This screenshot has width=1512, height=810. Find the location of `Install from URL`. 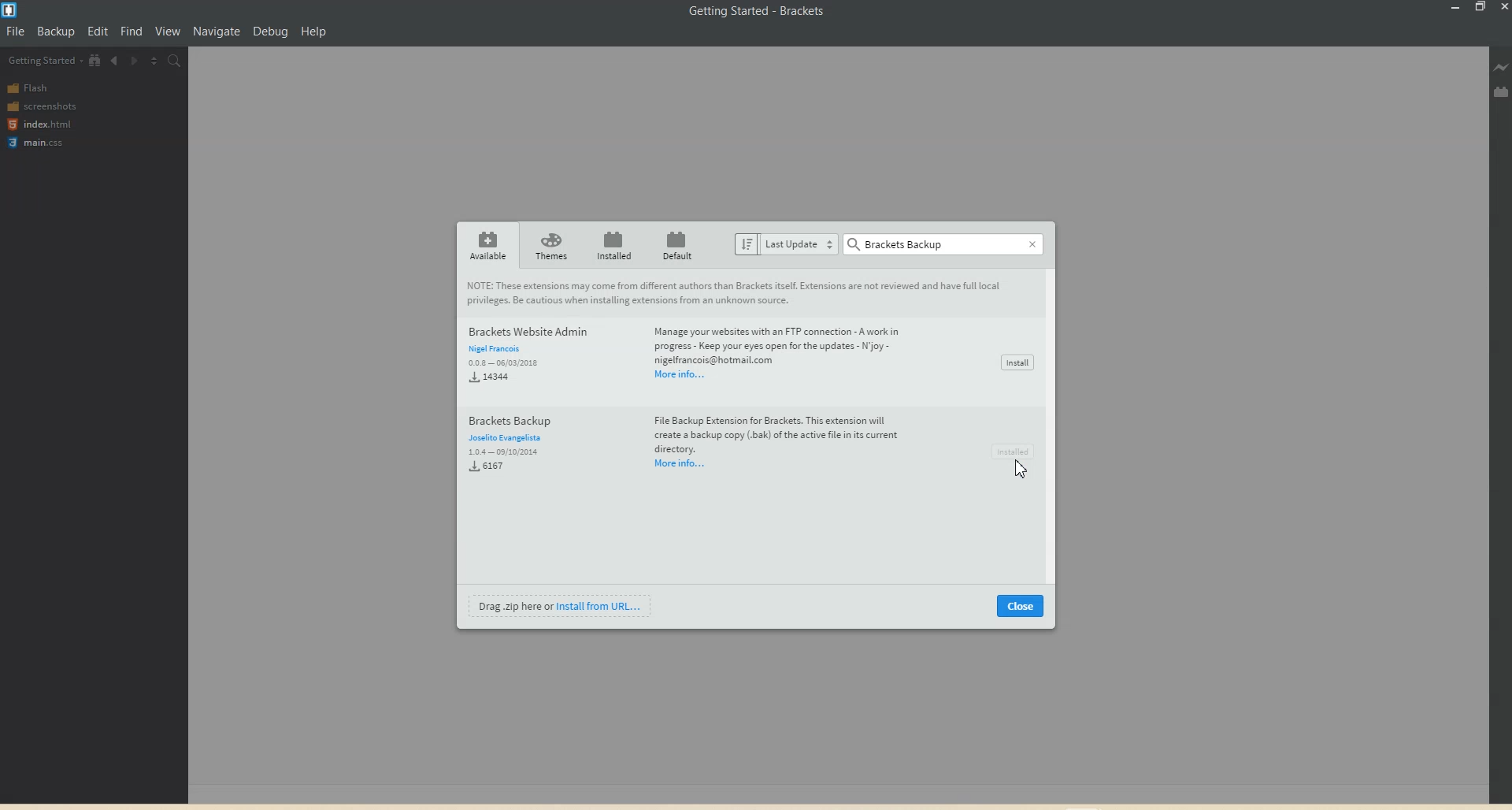

Install from URL is located at coordinates (560, 606).